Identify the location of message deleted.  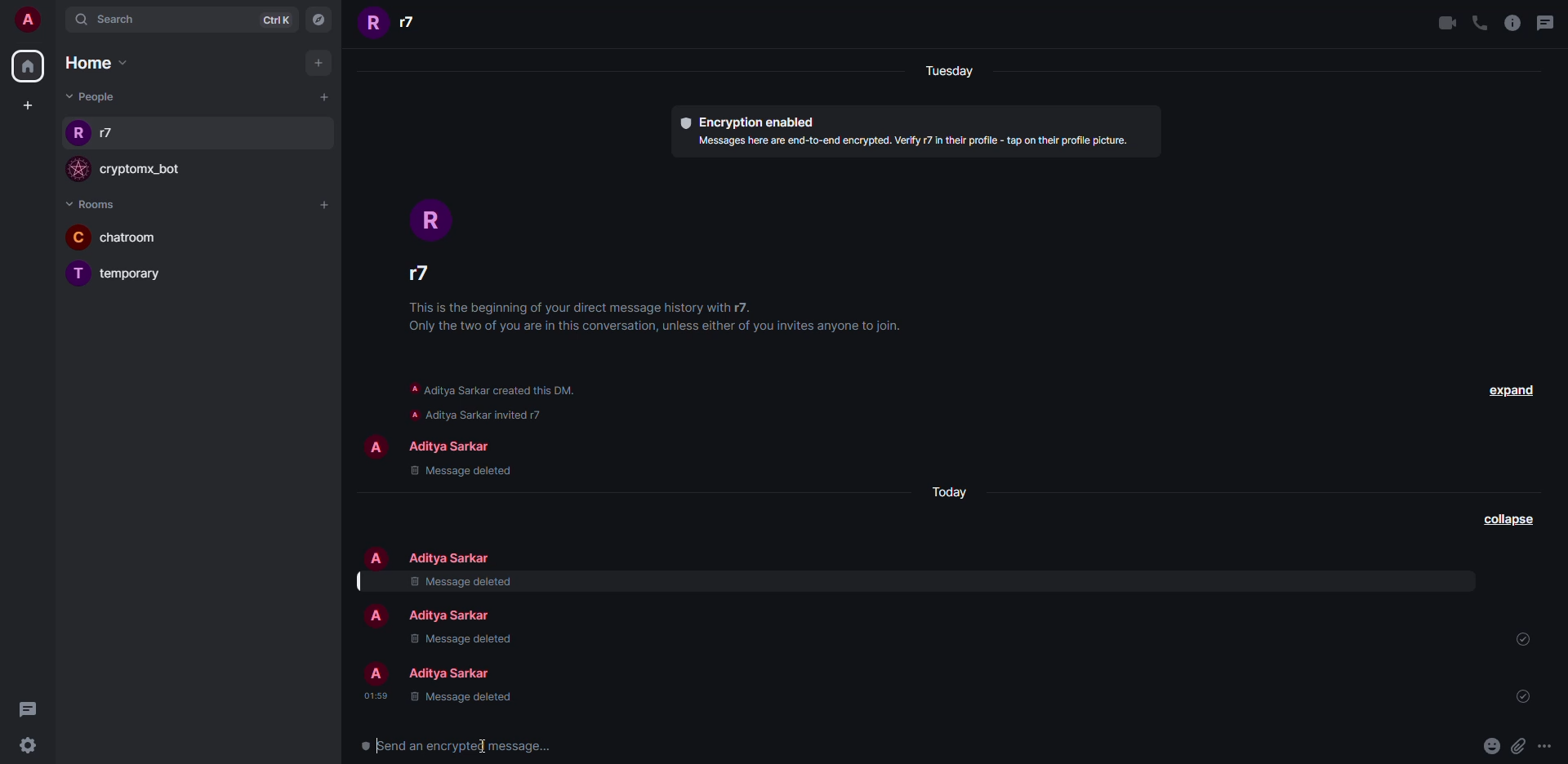
(460, 472).